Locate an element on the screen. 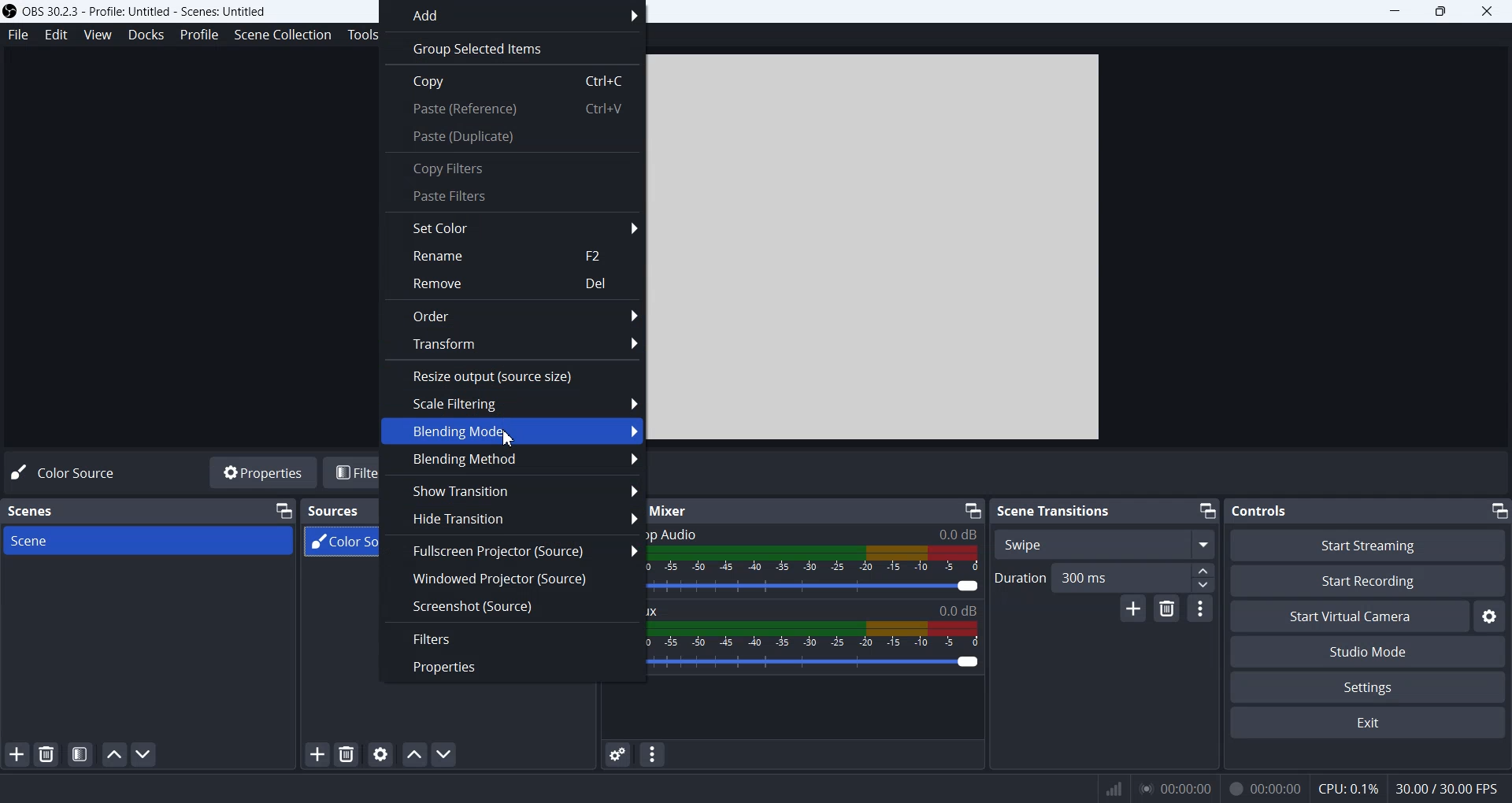  Edit is located at coordinates (56, 34).